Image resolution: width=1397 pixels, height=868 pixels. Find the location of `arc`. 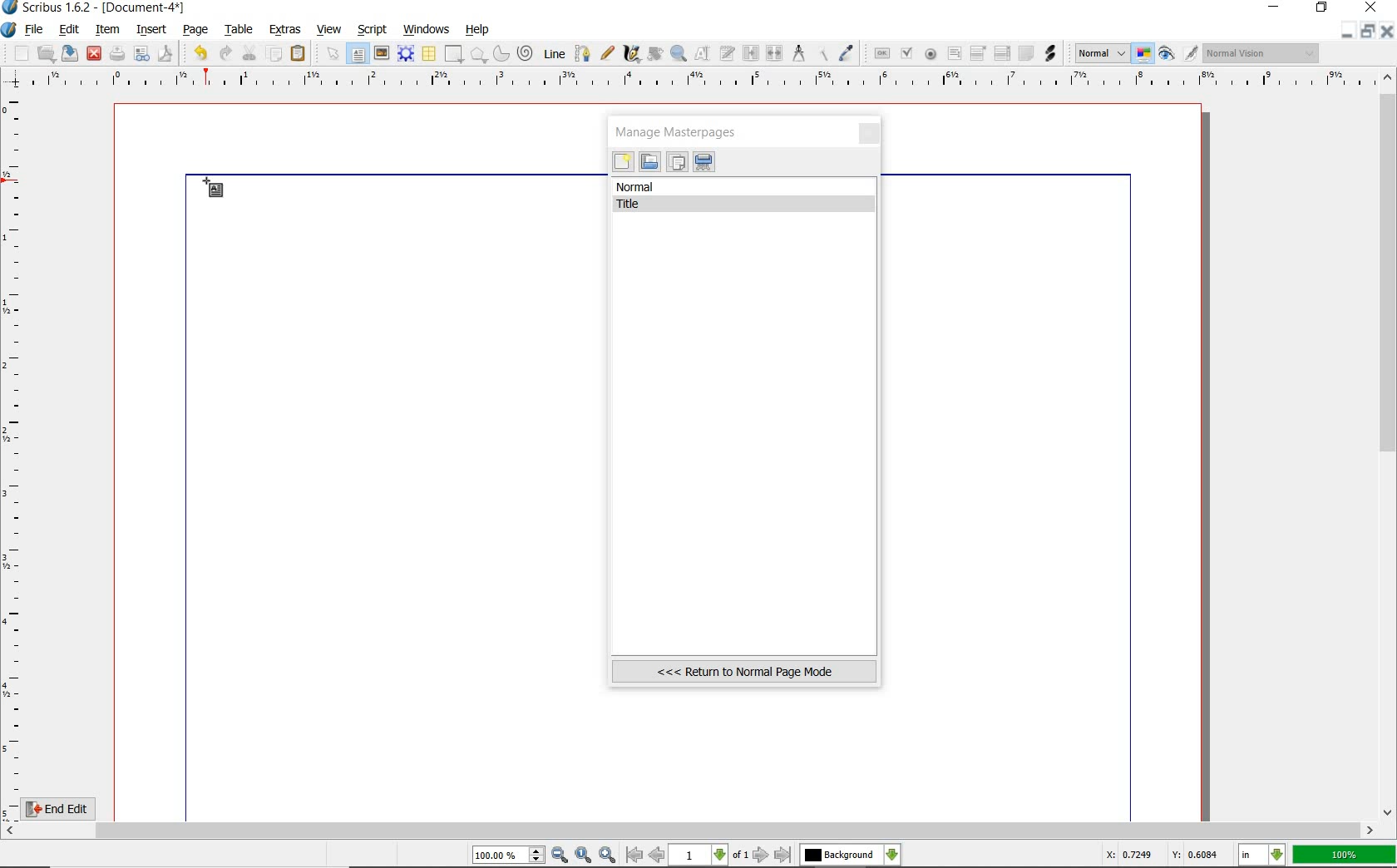

arc is located at coordinates (500, 53).